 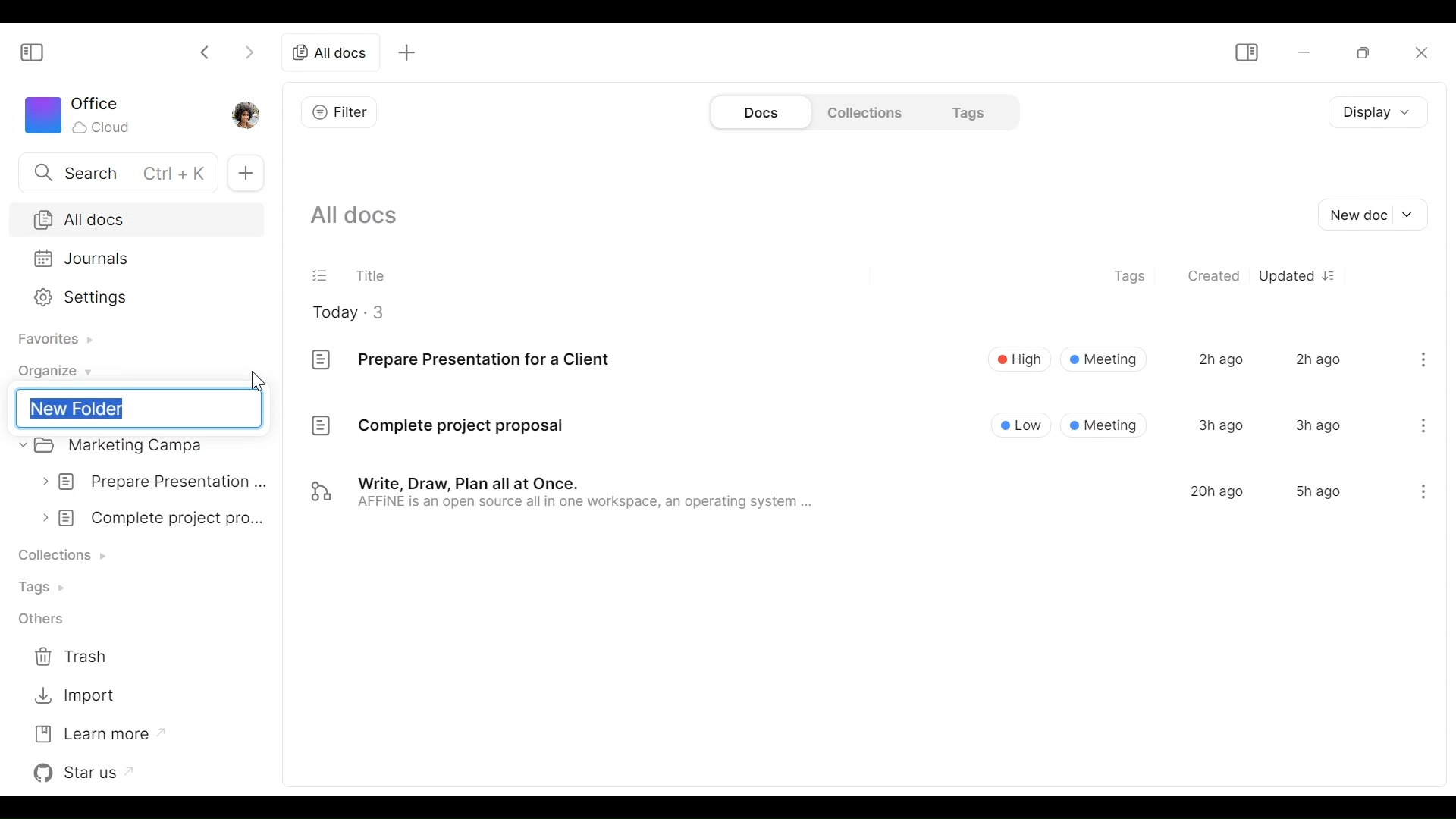 I want to click on Favorites, so click(x=52, y=339).